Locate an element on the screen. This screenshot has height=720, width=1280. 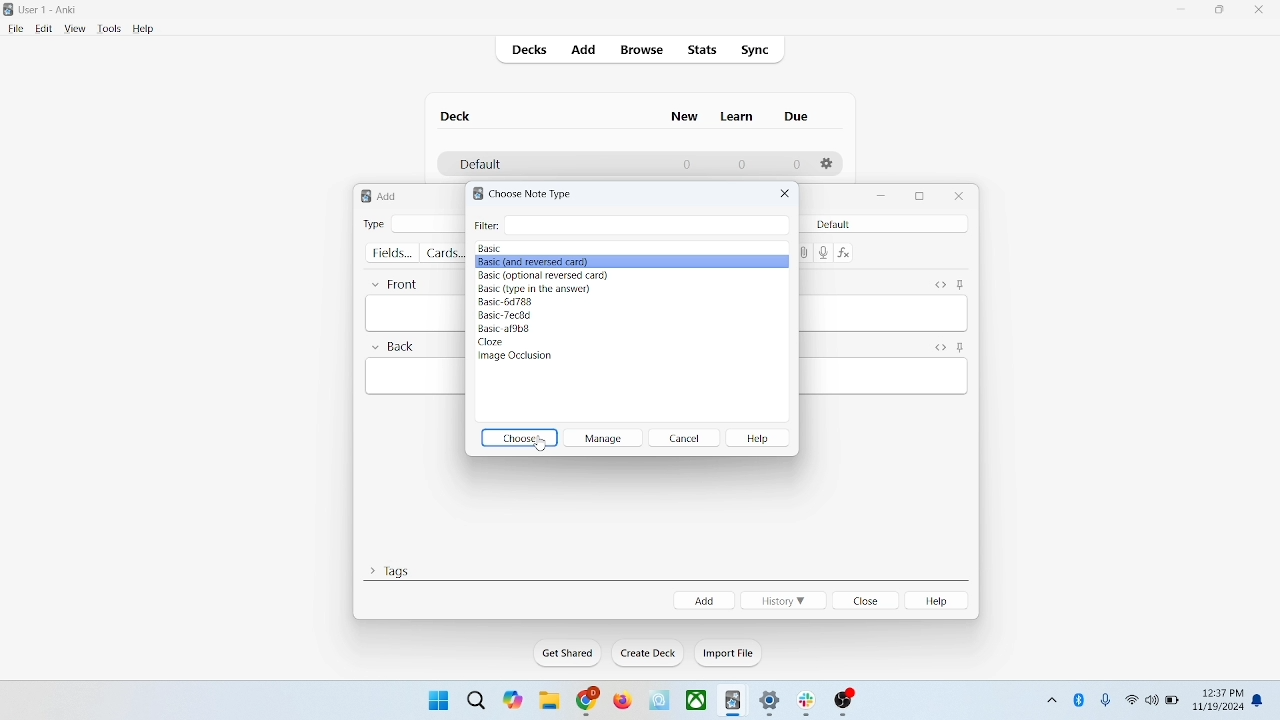
learn is located at coordinates (736, 116).